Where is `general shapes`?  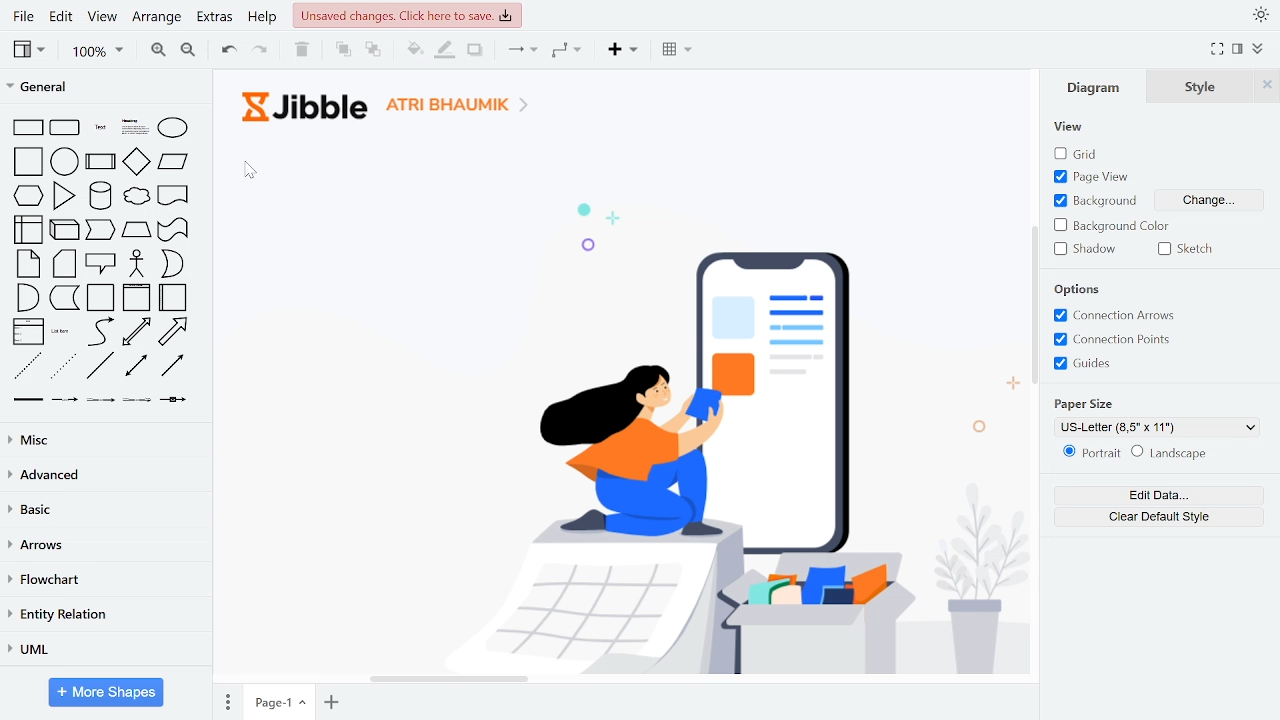 general shapes is located at coordinates (63, 296).